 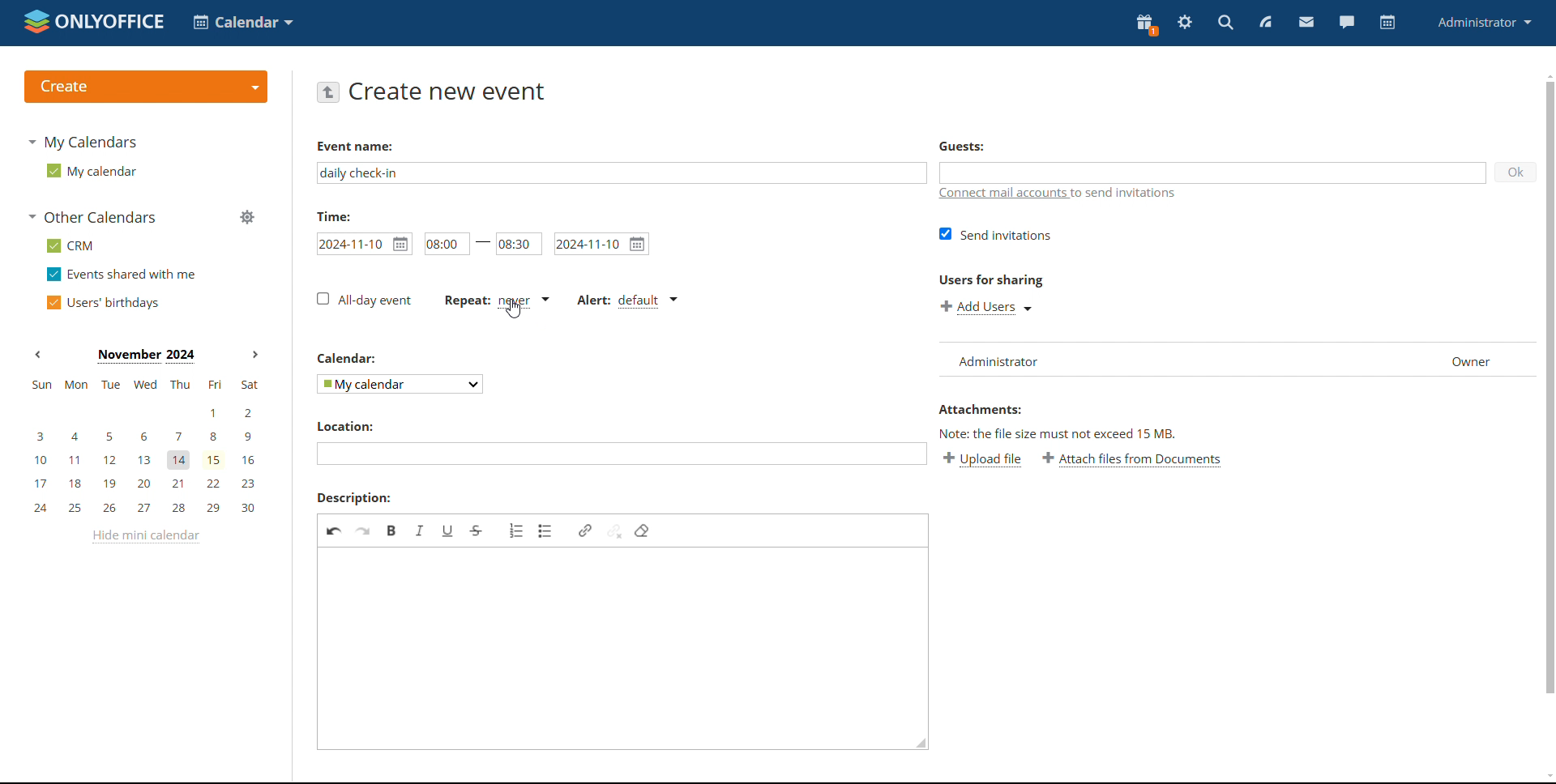 What do you see at coordinates (419, 530) in the screenshot?
I see `italic` at bounding box center [419, 530].